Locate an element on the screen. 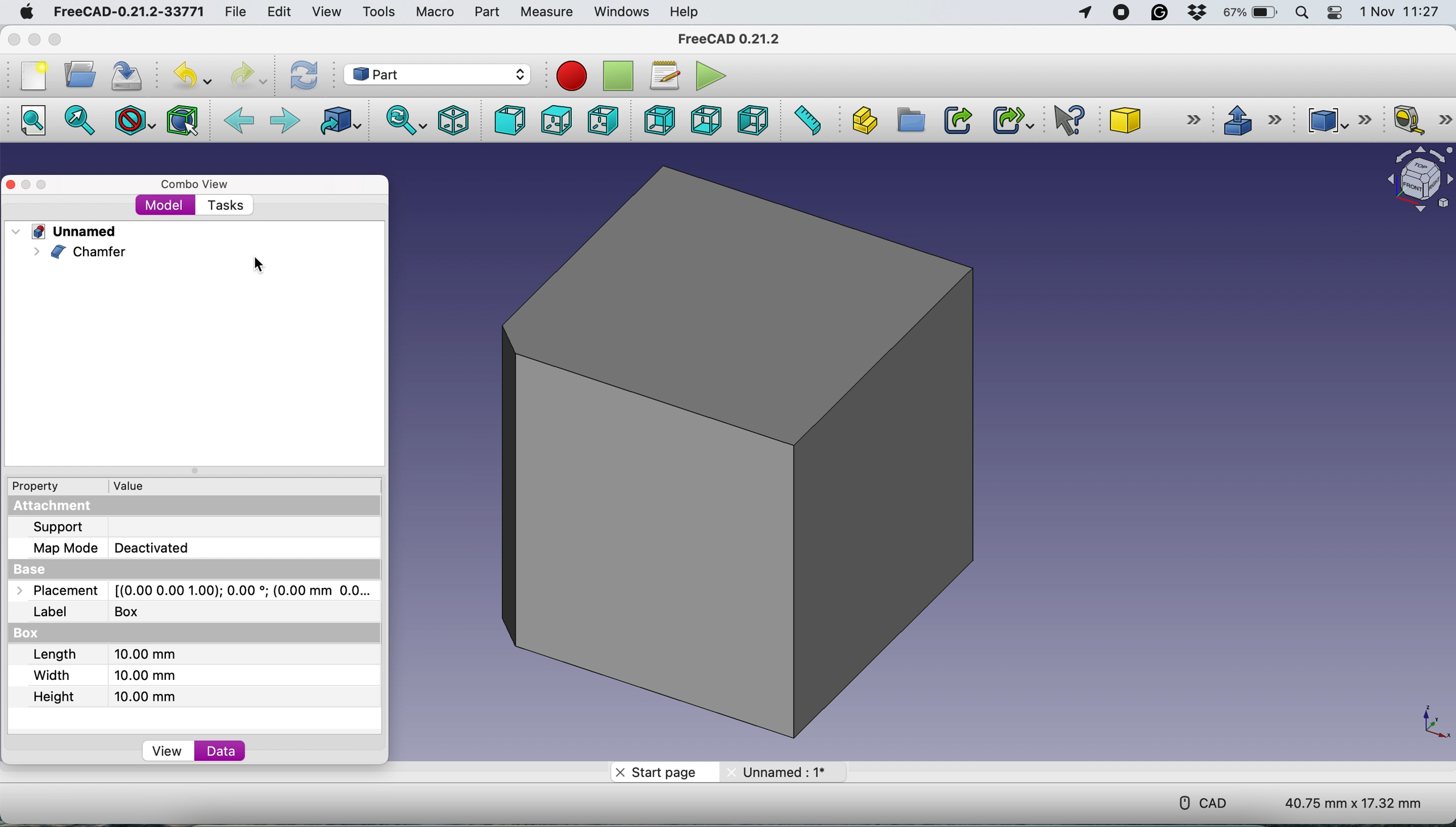  extrude is located at coordinates (1246, 119).